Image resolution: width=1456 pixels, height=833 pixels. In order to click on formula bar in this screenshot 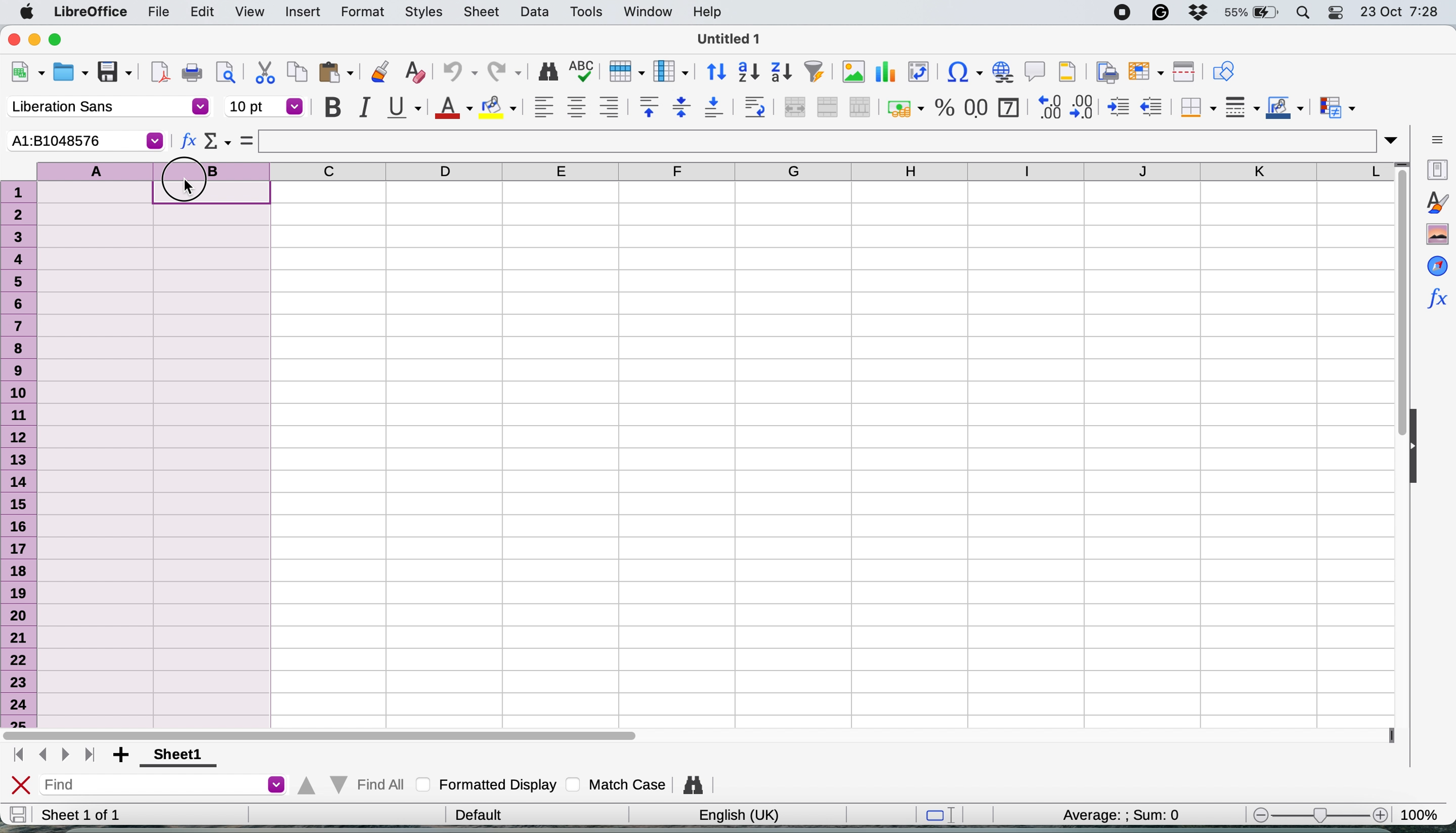, I will do `click(822, 141)`.